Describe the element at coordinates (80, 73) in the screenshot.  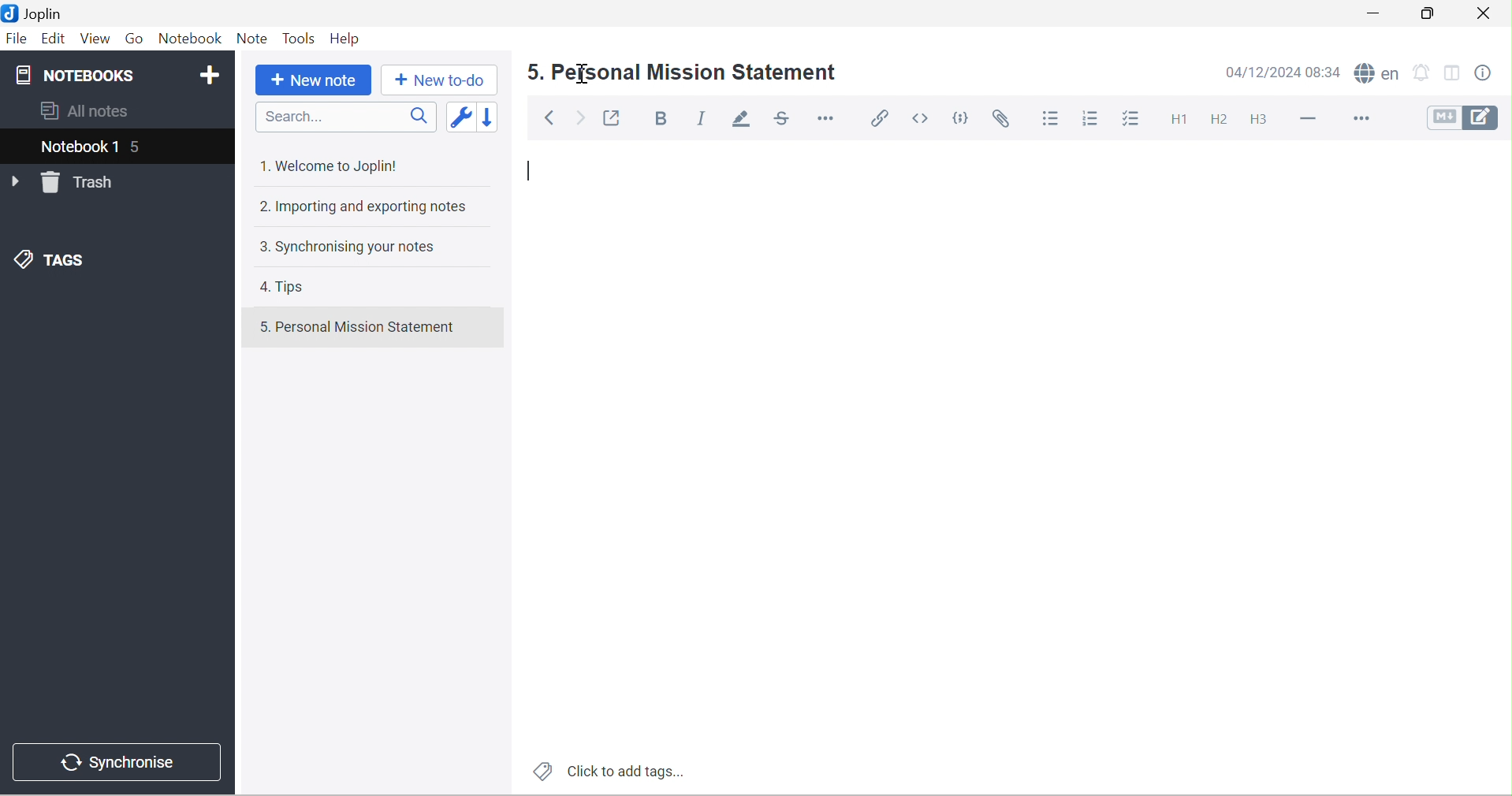
I see `NOTEBOOKS` at that location.